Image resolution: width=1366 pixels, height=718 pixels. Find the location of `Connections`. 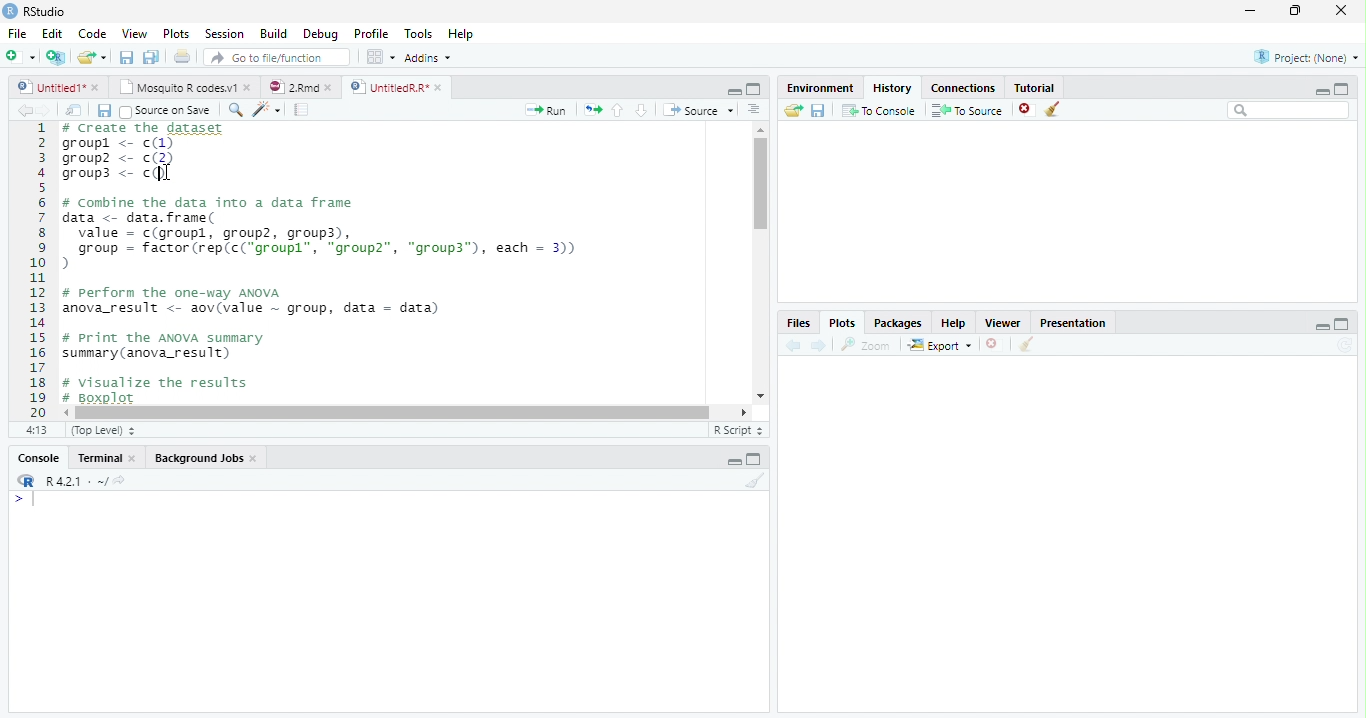

Connections is located at coordinates (965, 86).